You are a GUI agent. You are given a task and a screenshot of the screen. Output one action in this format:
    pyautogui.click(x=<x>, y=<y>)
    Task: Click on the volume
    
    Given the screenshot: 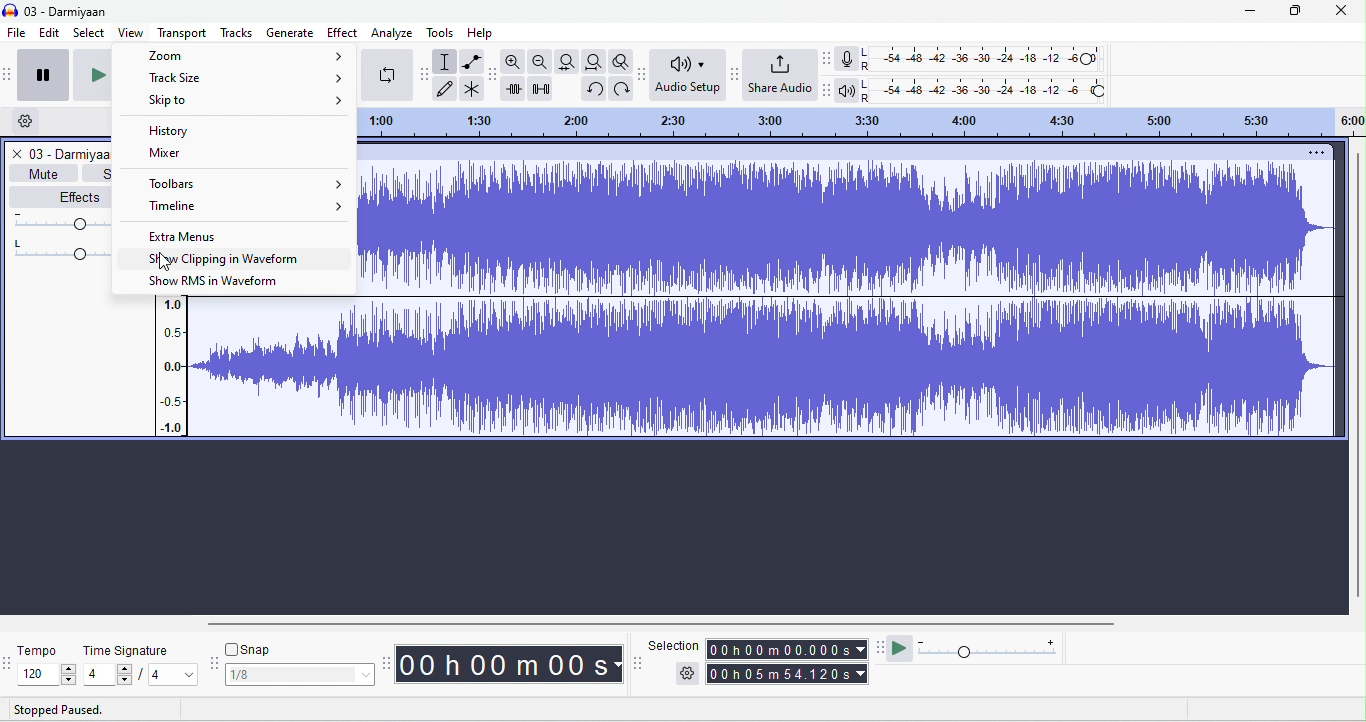 What is the action you would take?
    pyautogui.click(x=64, y=219)
    